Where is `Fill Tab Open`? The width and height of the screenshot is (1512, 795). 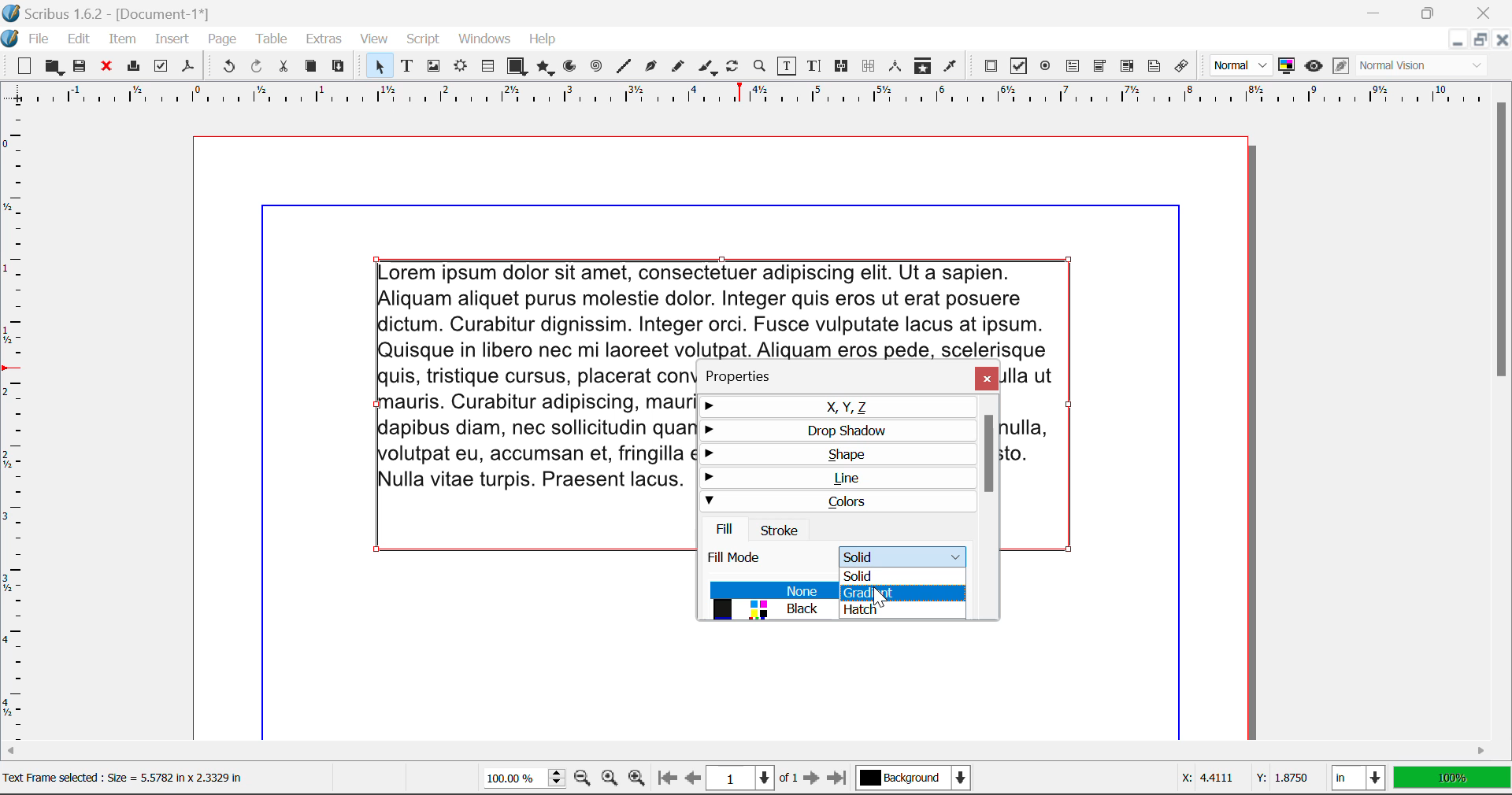
Fill Tab Open is located at coordinates (727, 528).